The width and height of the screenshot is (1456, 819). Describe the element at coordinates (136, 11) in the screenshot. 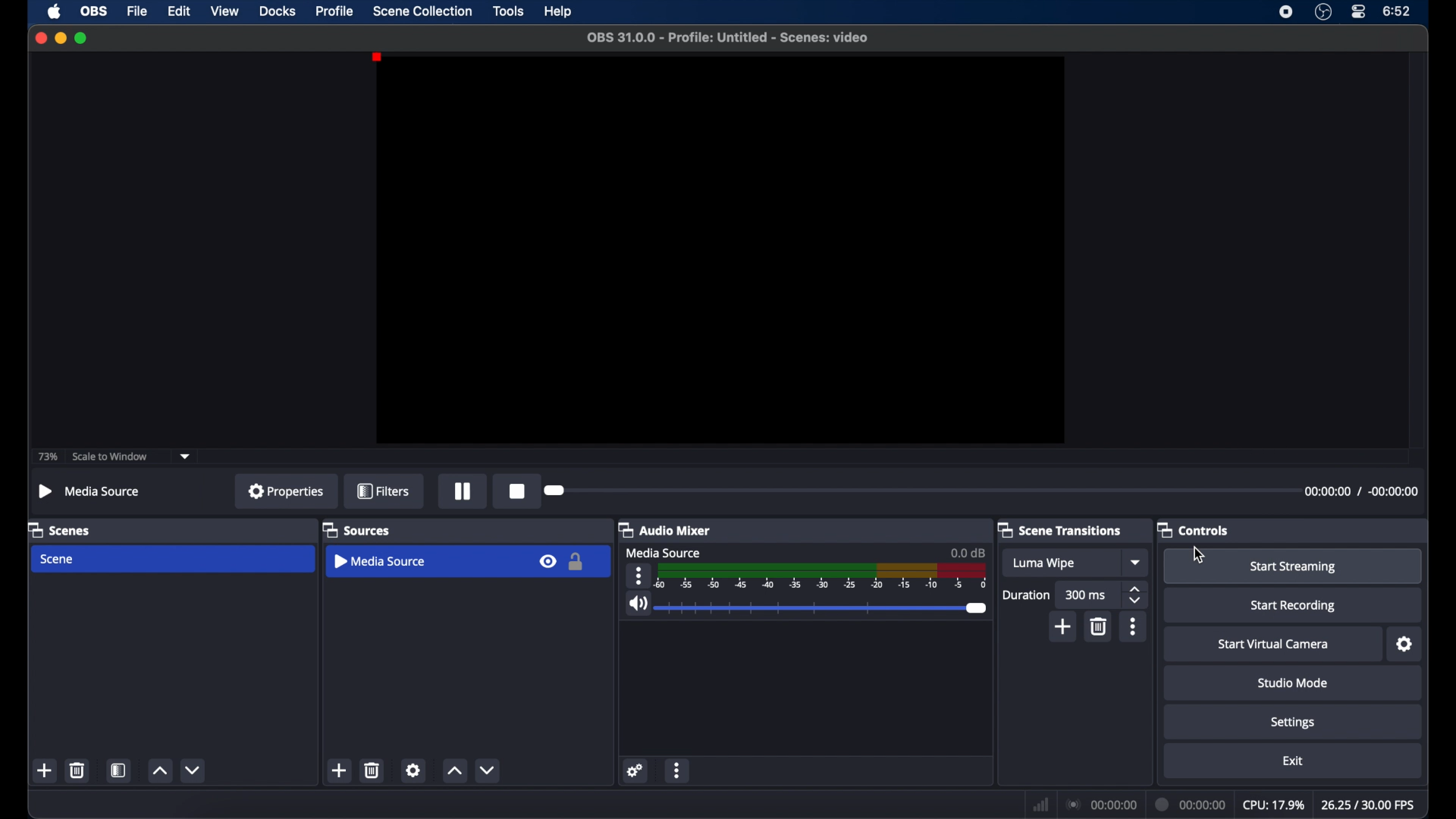

I see `file` at that location.